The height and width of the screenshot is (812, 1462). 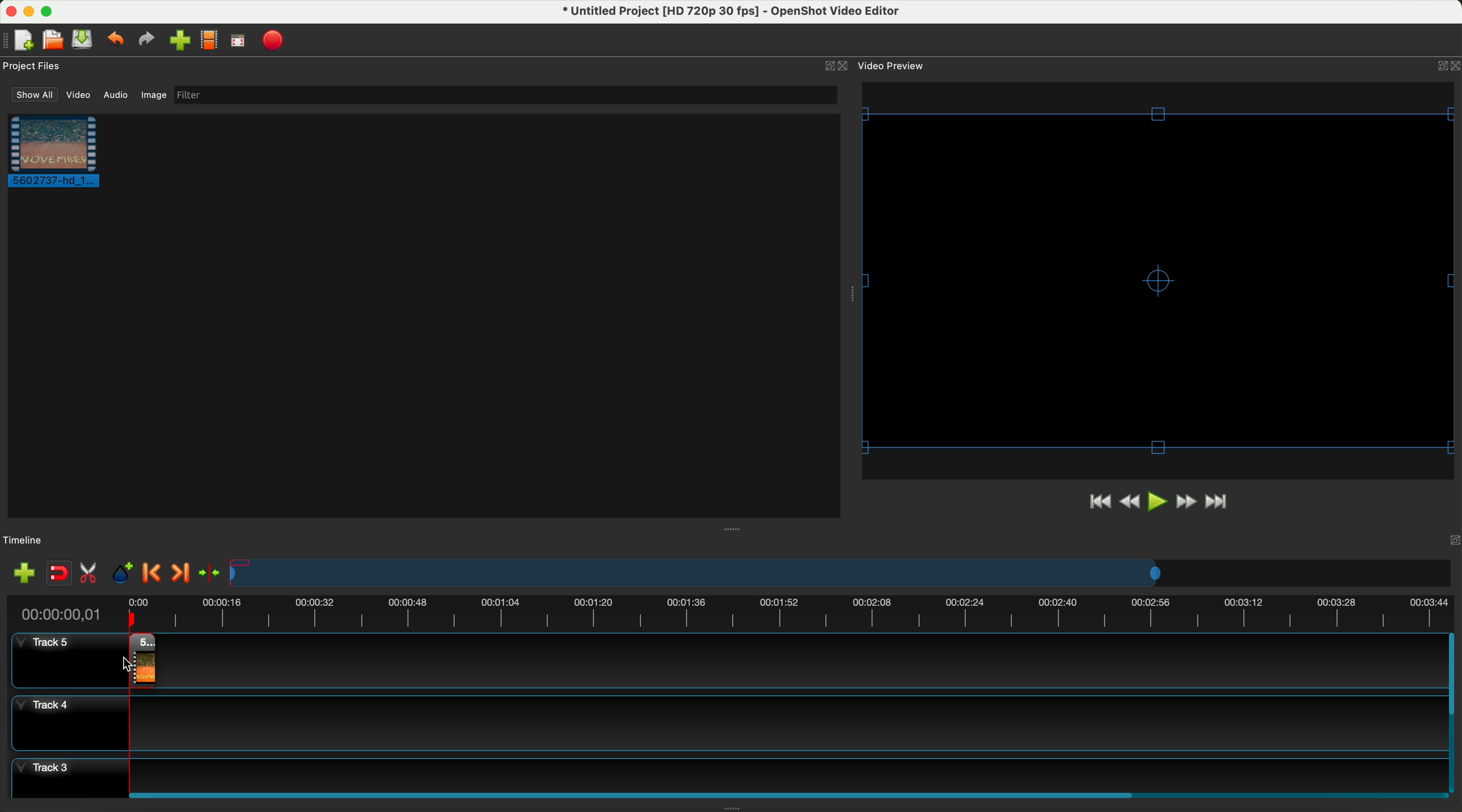 What do you see at coordinates (845, 67) in the screenshot?
I see `close` at bounding box center [845, 67].